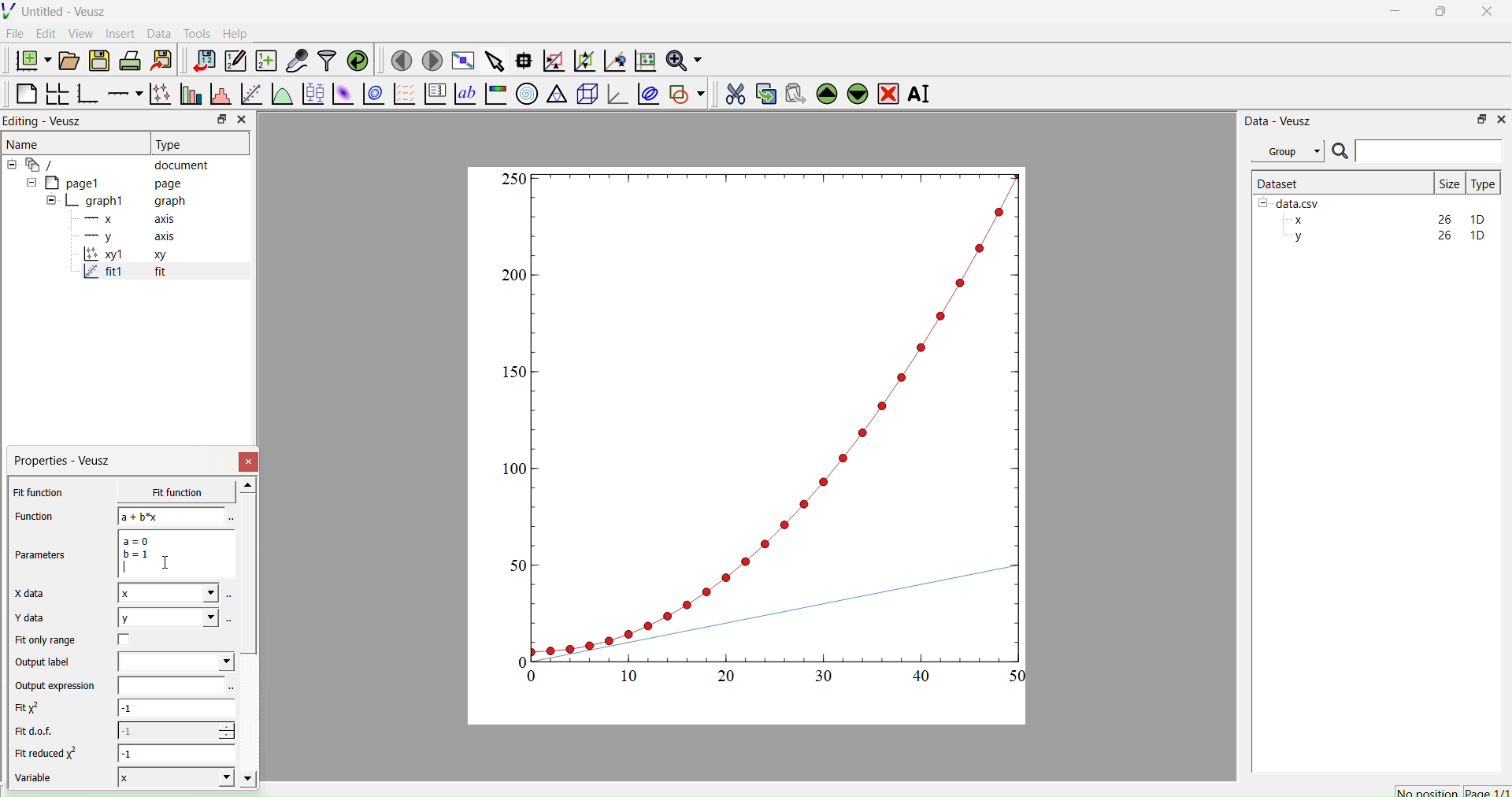  What do you see at coordinates (1385, 235) in the screenshot?
I see `y 26 1D` at bounding box center [1385, 235].